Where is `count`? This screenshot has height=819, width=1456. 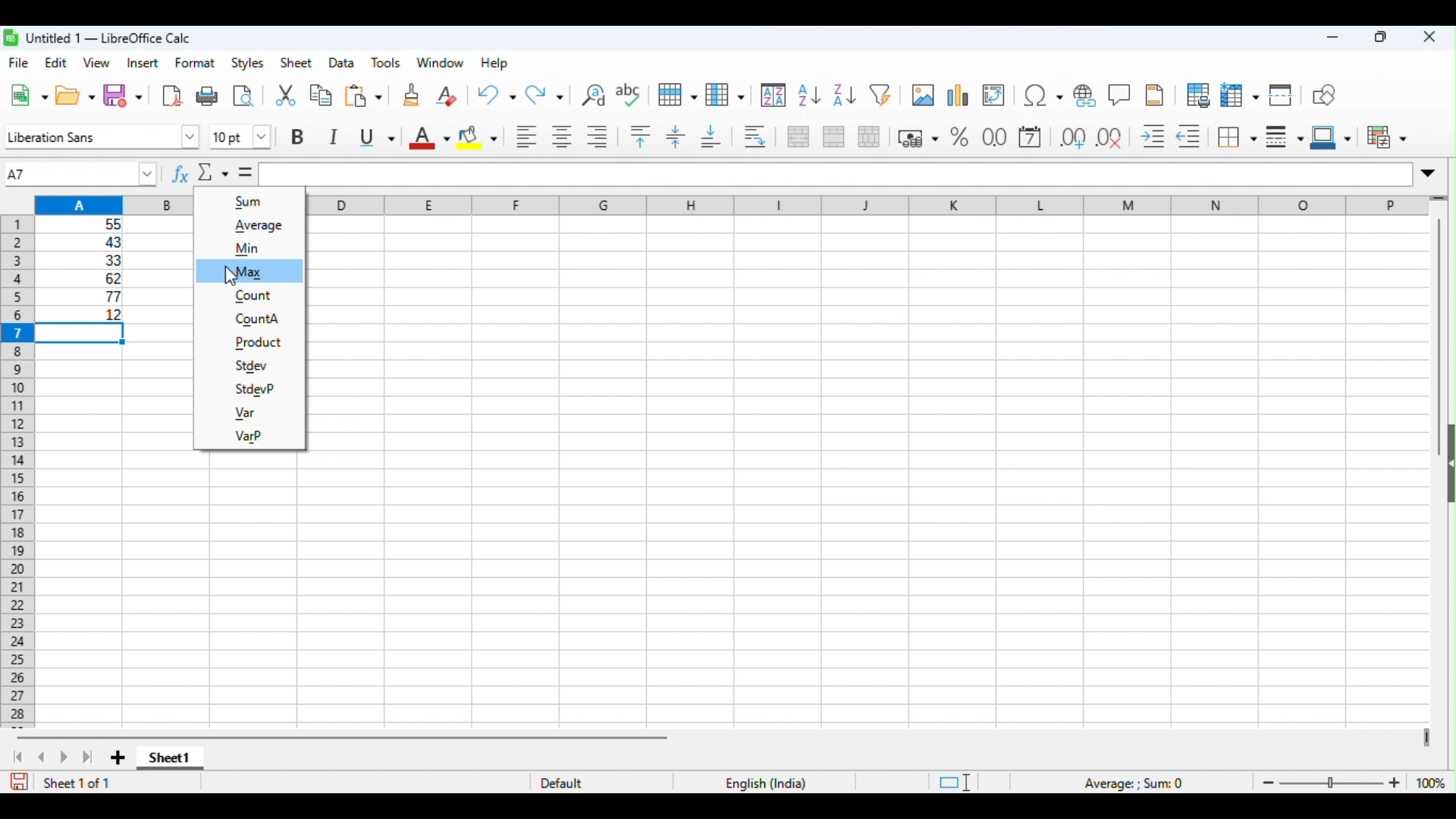
count is located at coordinates (254, 295).